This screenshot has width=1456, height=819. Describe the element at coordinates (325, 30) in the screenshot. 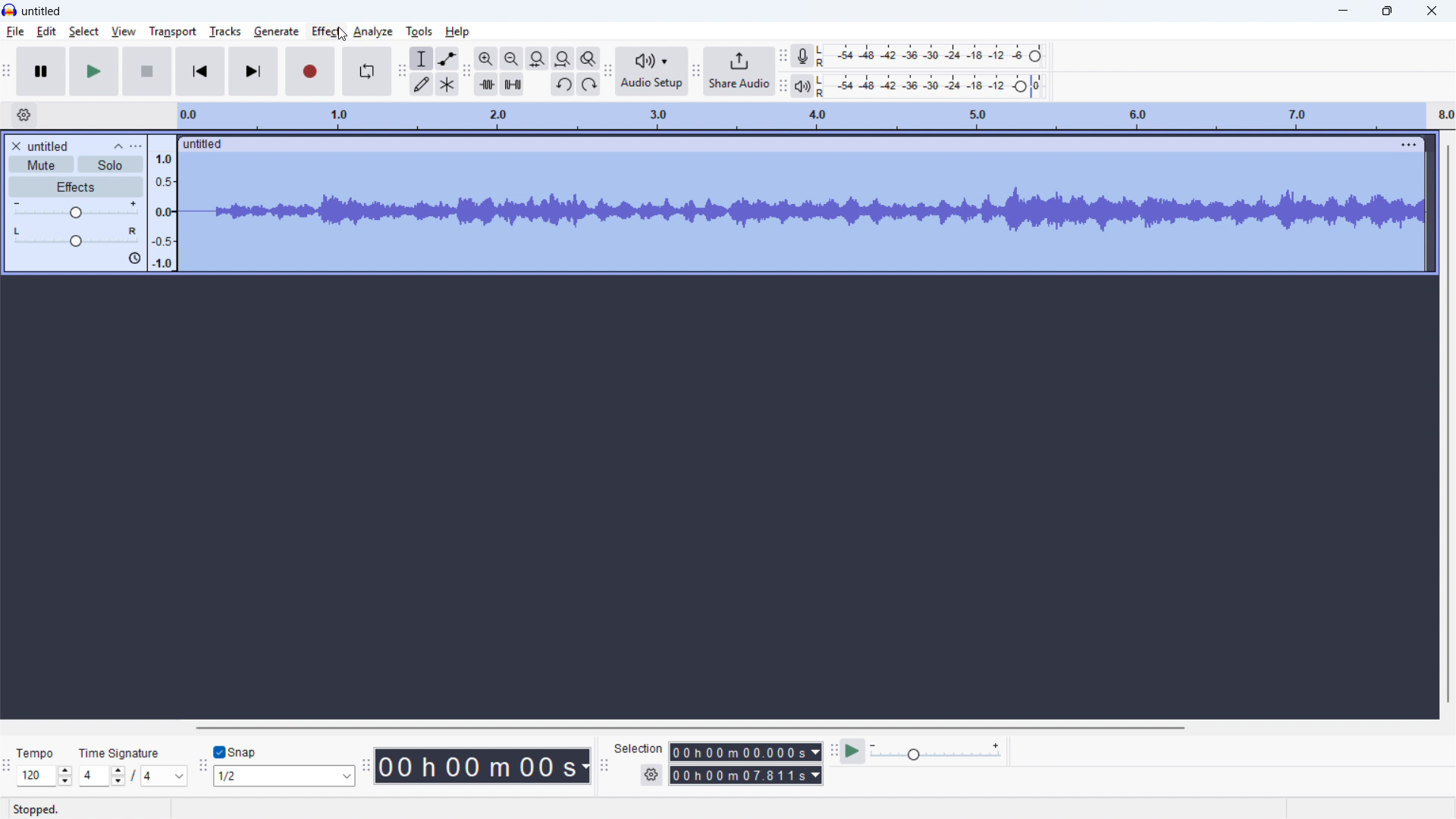

I see `effect` at that location.